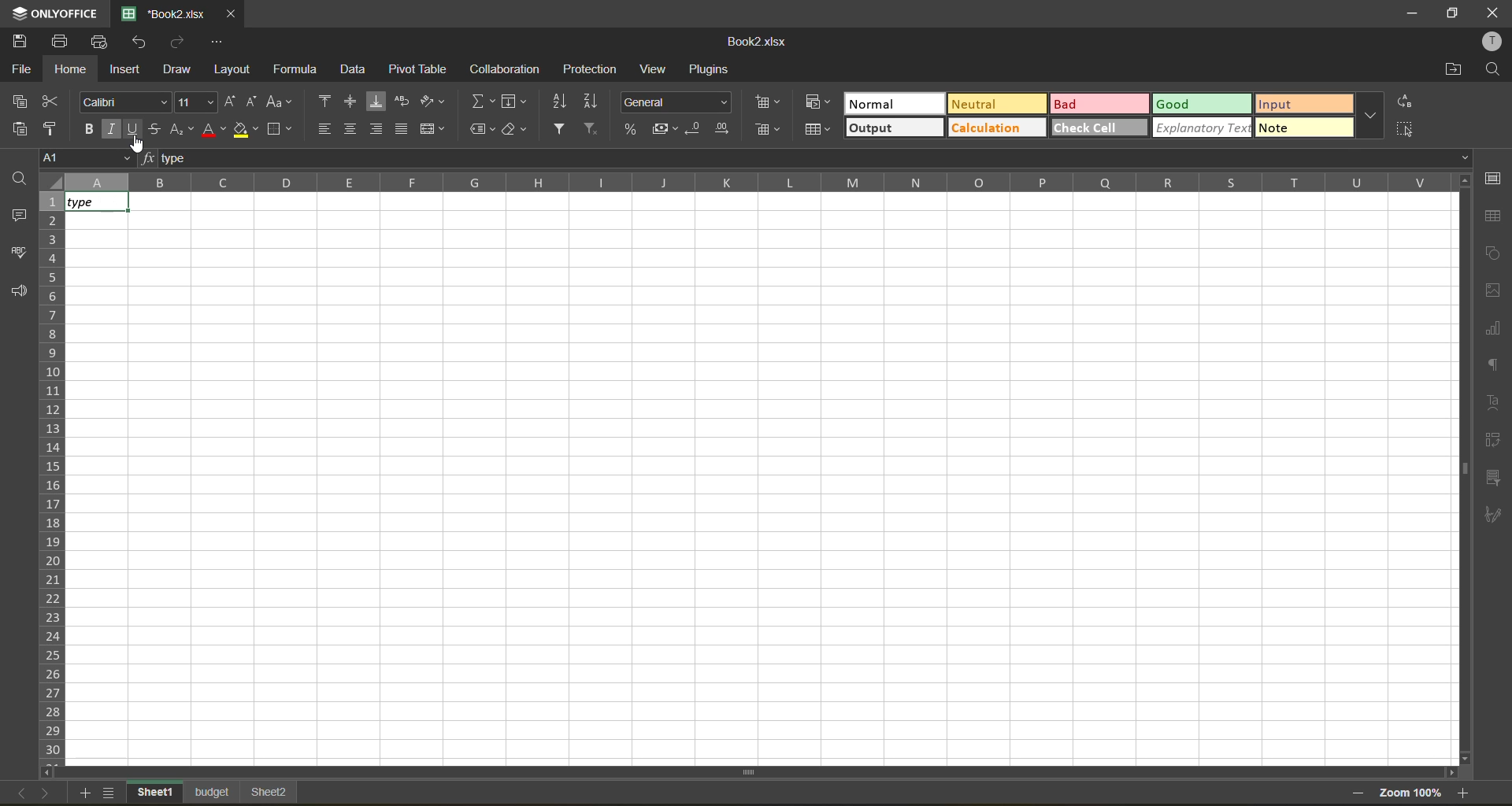 Image resolution: width=1512 pixels, height=806 pixels. I want to click on quick print, so click(100, 42).